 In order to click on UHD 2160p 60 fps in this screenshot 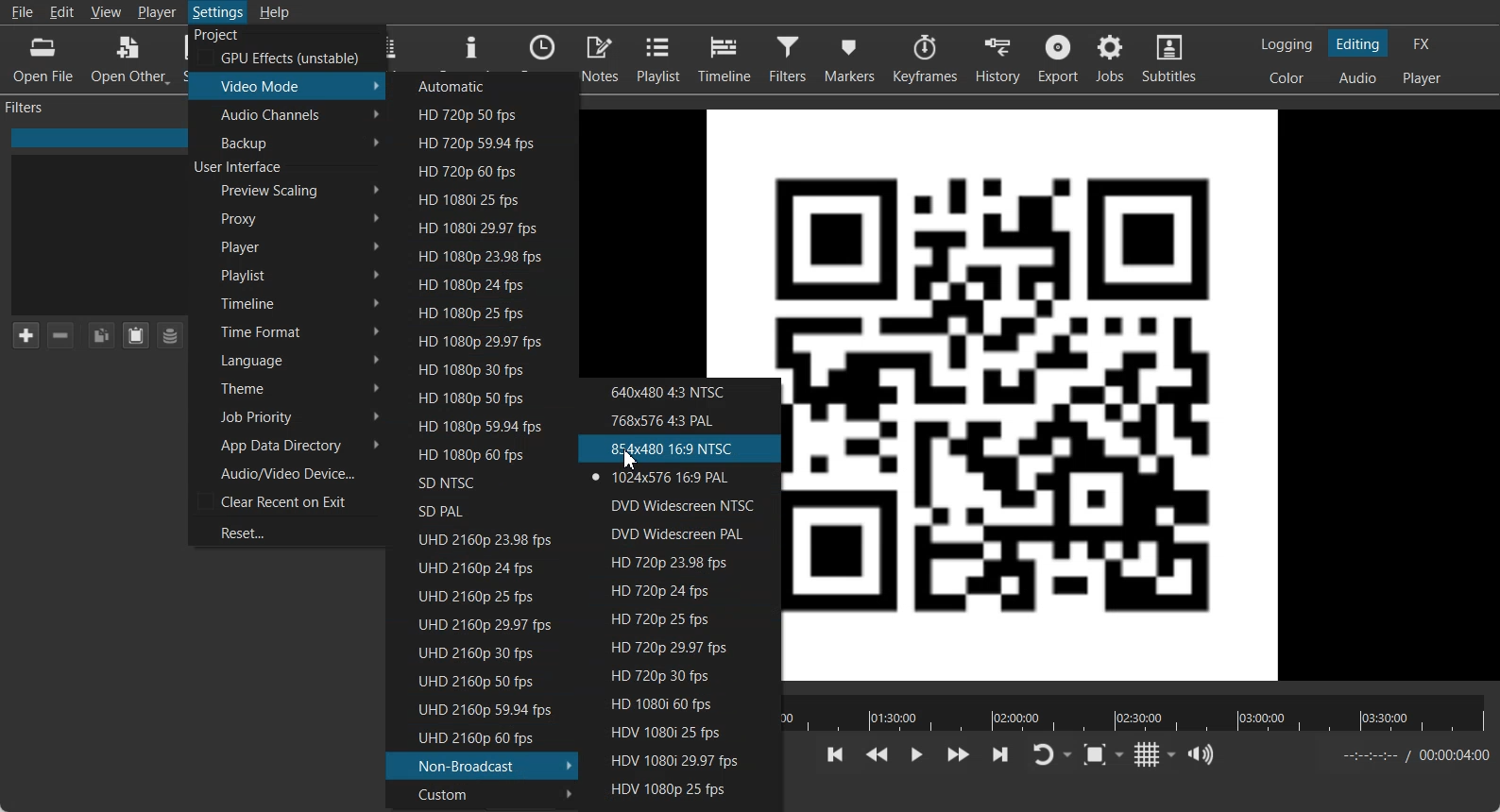, I will do `click(478, 737)`.